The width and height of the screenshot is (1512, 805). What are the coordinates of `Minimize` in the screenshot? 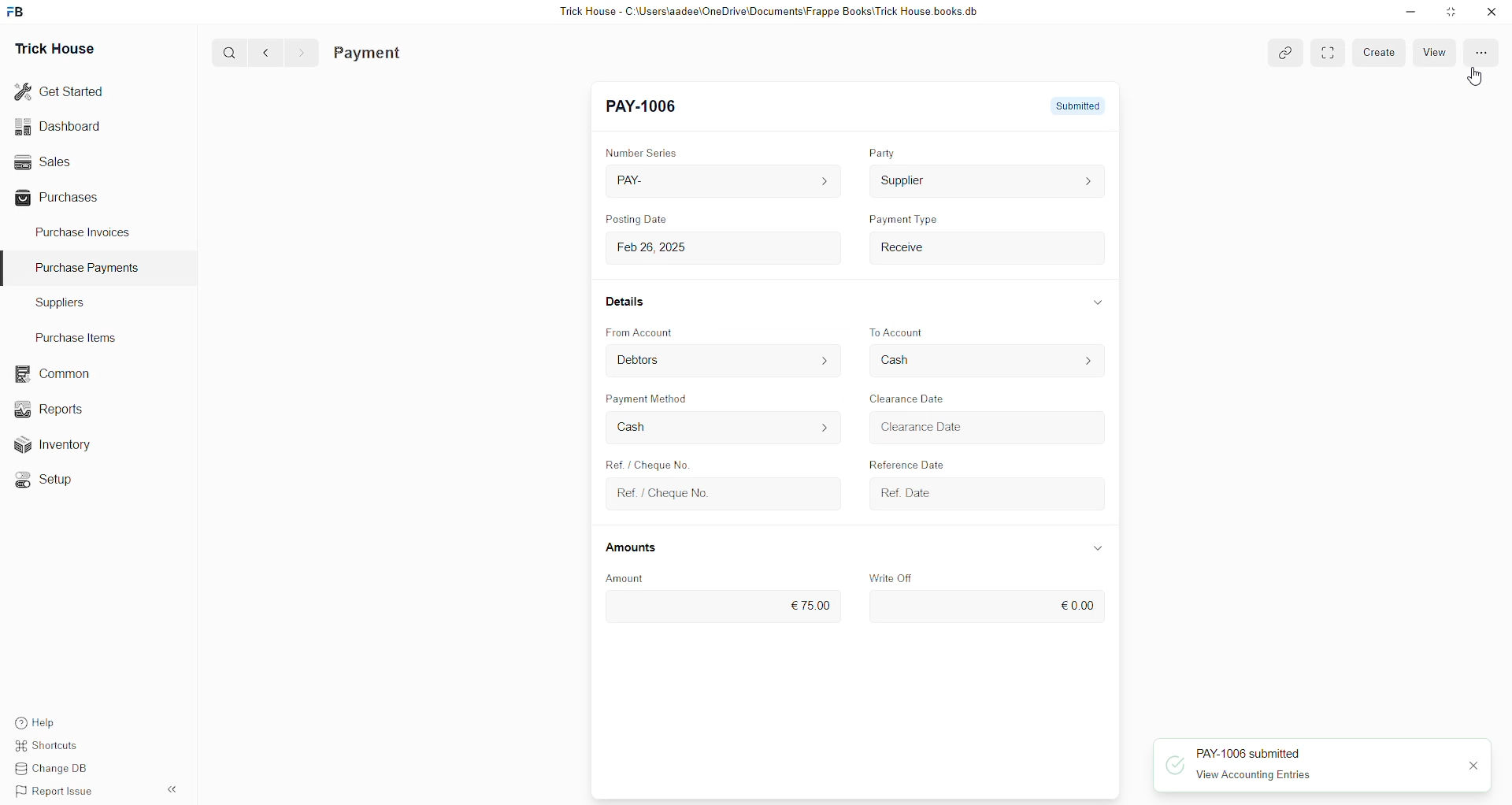 It's located at (1410, 13).